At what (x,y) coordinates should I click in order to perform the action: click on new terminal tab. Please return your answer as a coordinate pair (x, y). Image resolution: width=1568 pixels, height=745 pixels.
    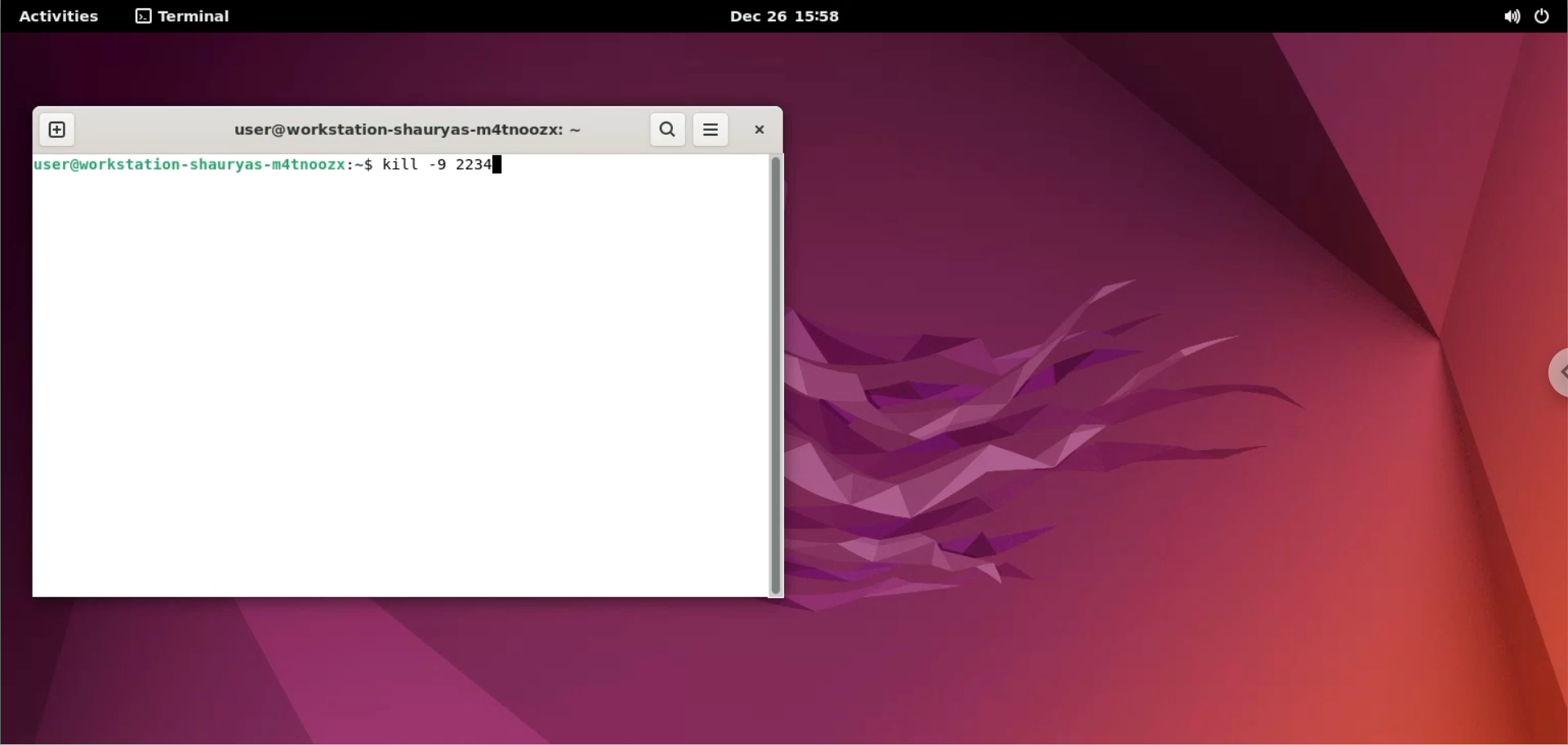
    Looking at the image, I should click on (56, 131).